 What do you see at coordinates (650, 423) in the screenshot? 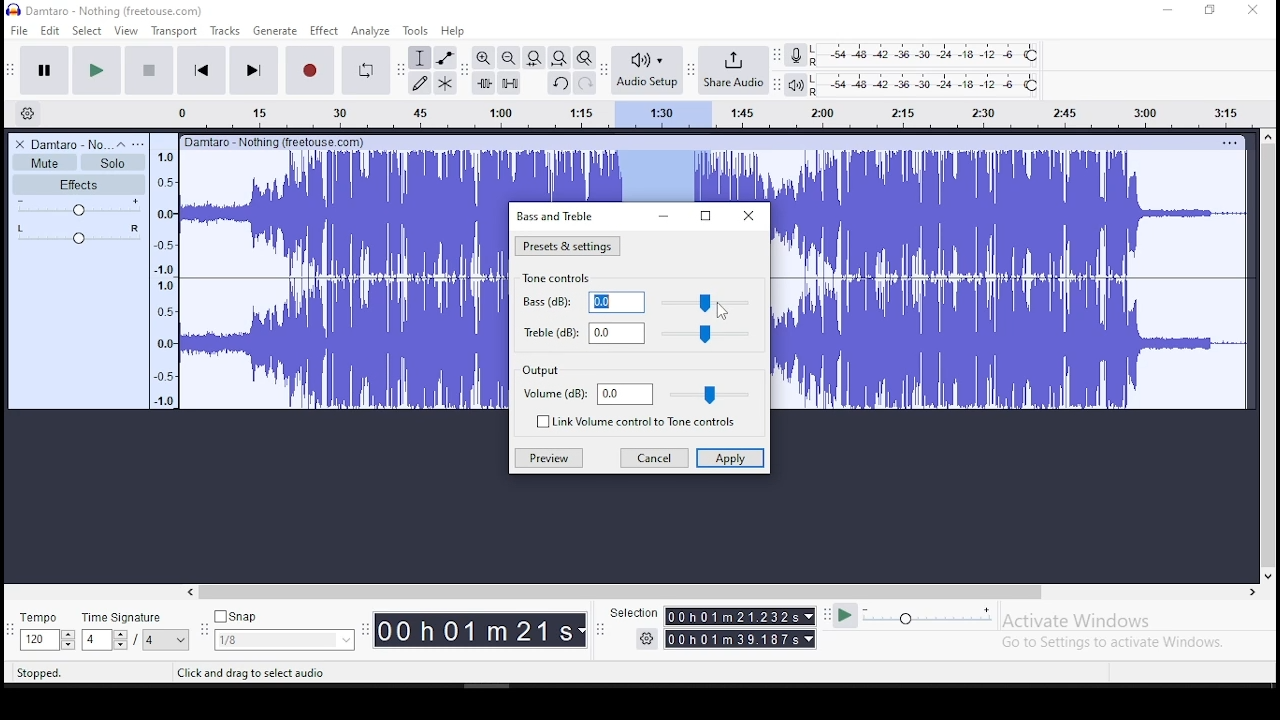
I see `link volume control to tone control on/off` at bounding box center [650, 423].